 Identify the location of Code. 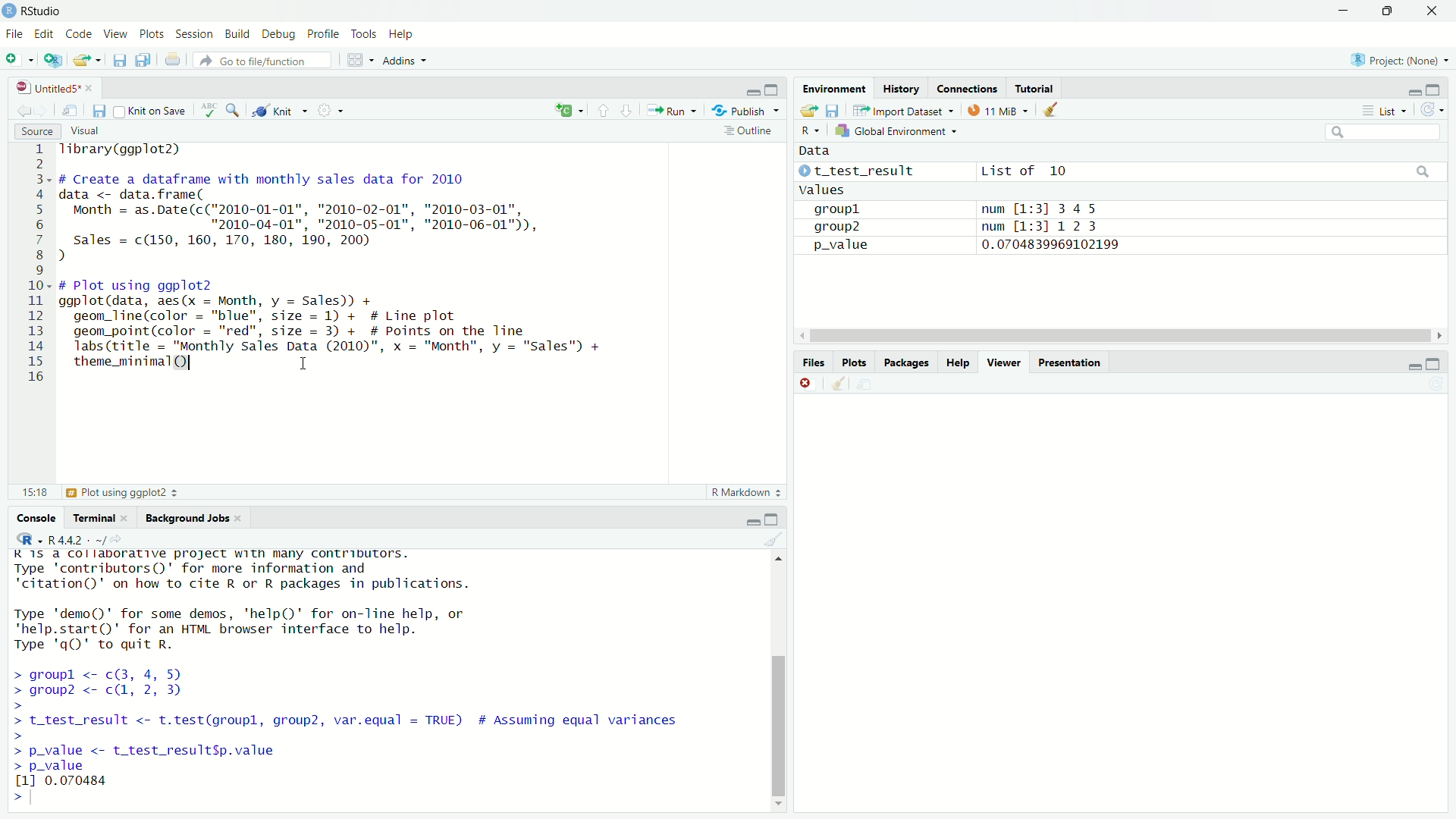
(80, 32).